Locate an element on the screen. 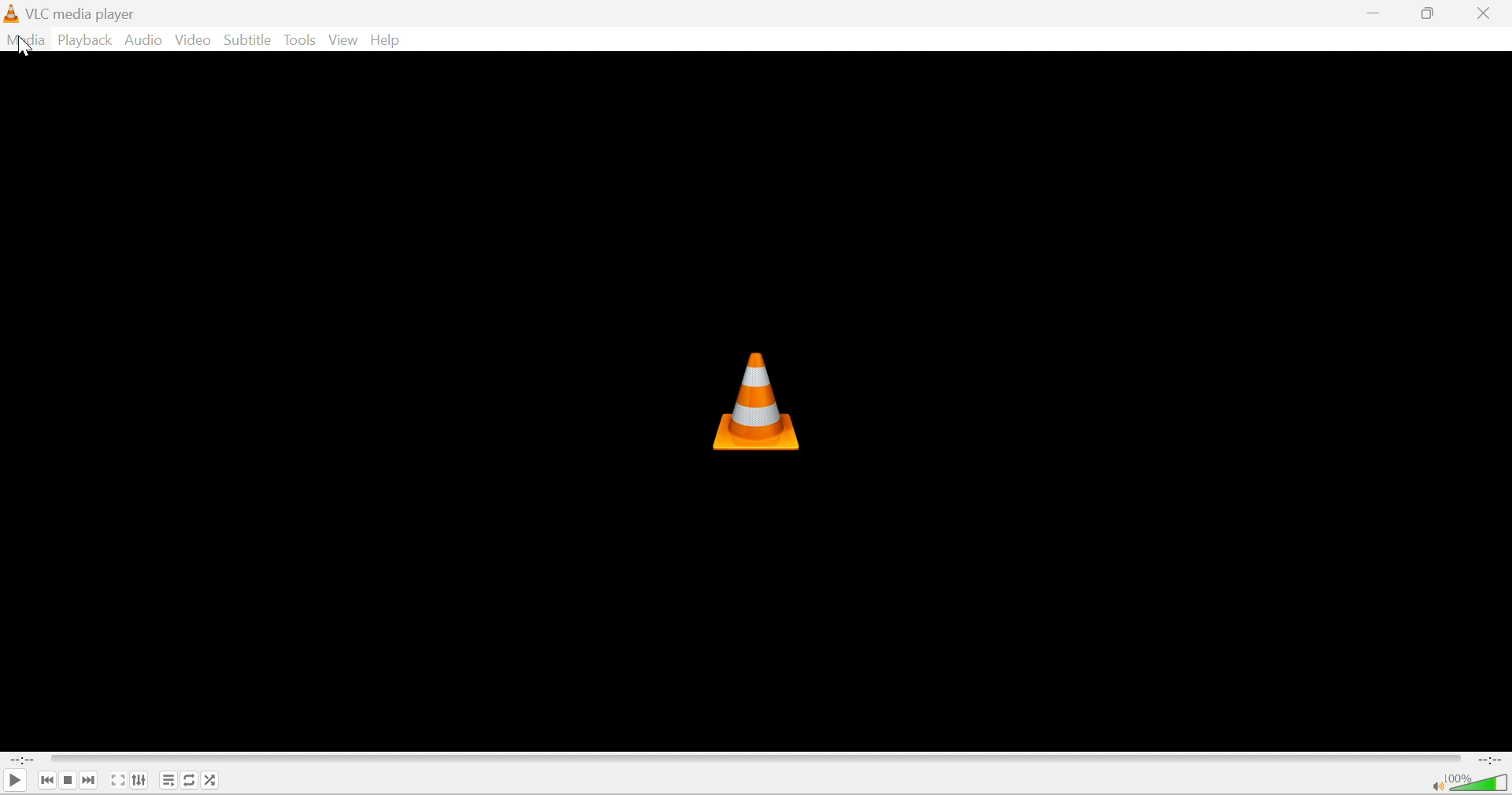 This screenshot has height=795, width=1512. VLC Media player is located at coordinates (84, 14).